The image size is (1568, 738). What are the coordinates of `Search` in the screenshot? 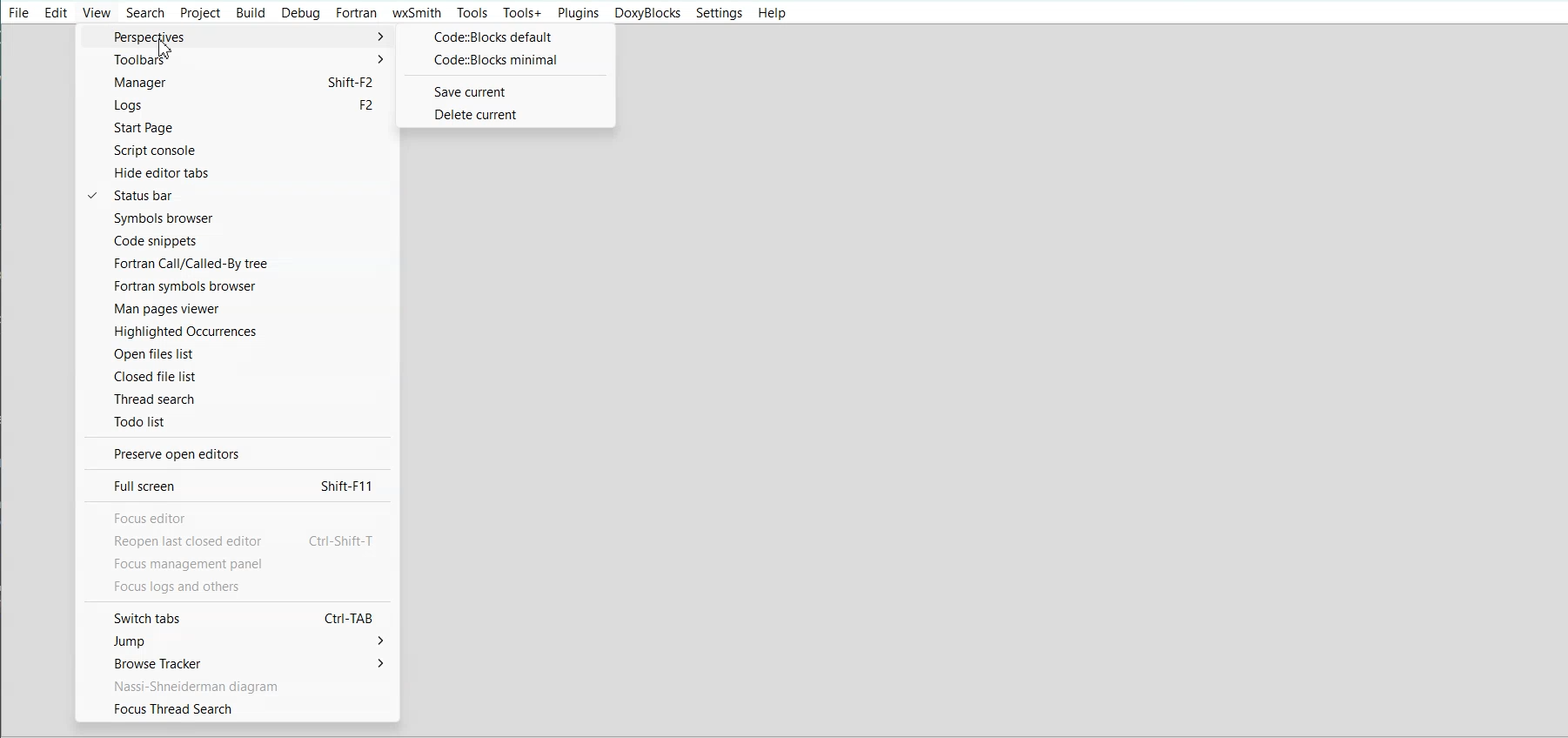 It's located at (145, 12).